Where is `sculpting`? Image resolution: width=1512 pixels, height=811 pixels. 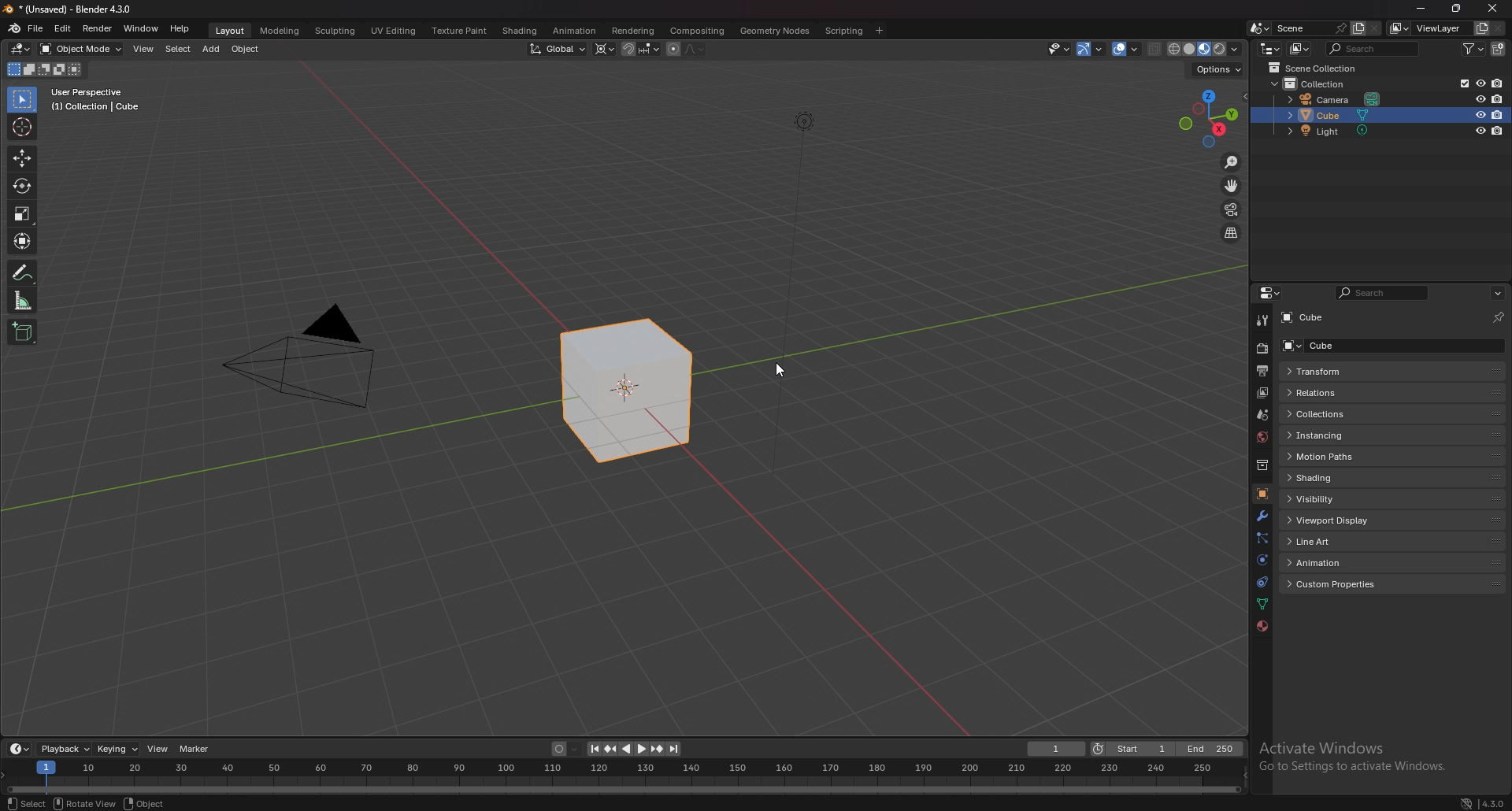
sculpting is located at coordinates (335, 30).